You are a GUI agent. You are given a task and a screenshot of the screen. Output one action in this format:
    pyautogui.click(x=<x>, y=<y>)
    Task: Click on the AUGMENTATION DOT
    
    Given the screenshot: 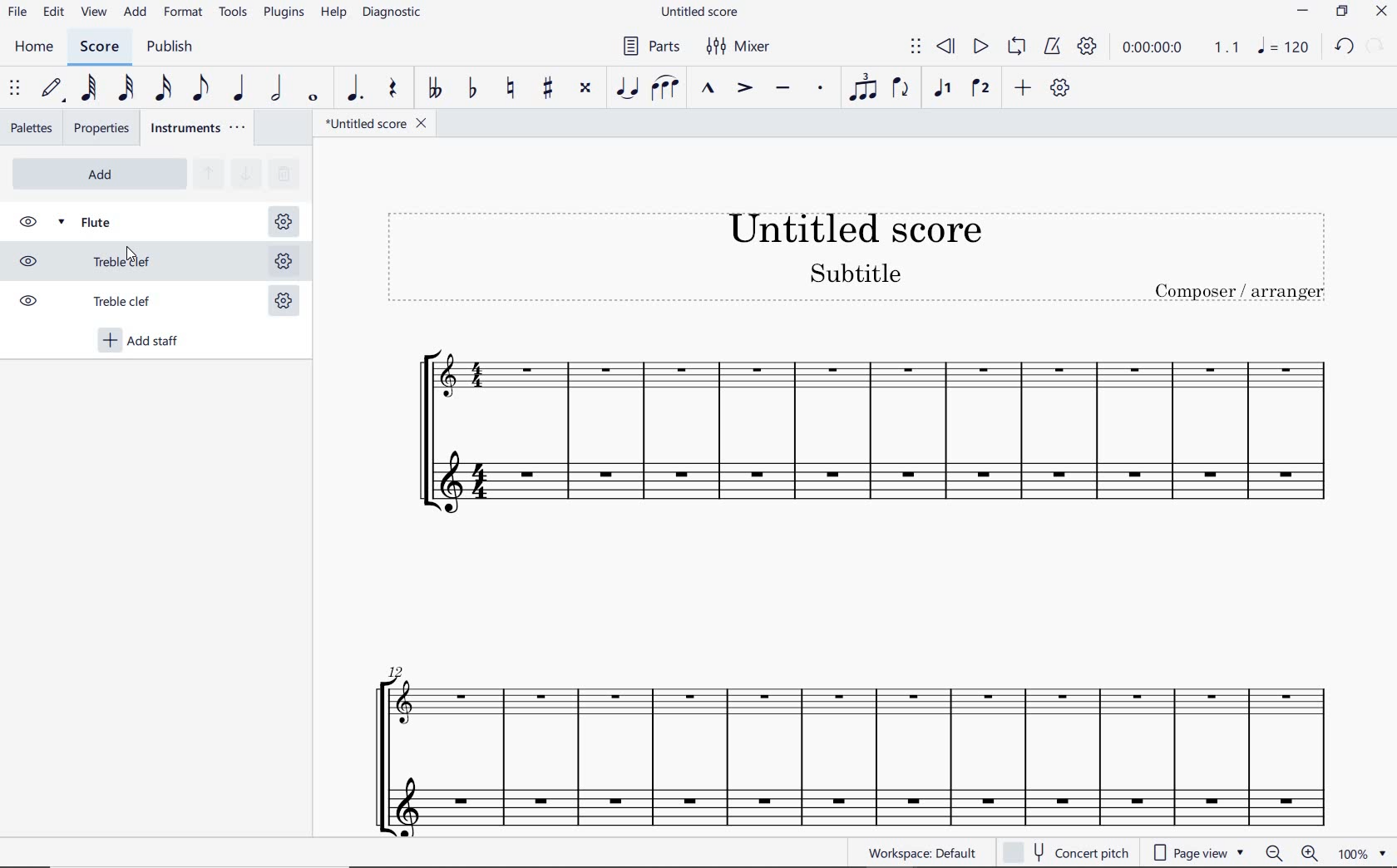 What is the action you would take?
    pyautogui.click(x=353, y=90)
    